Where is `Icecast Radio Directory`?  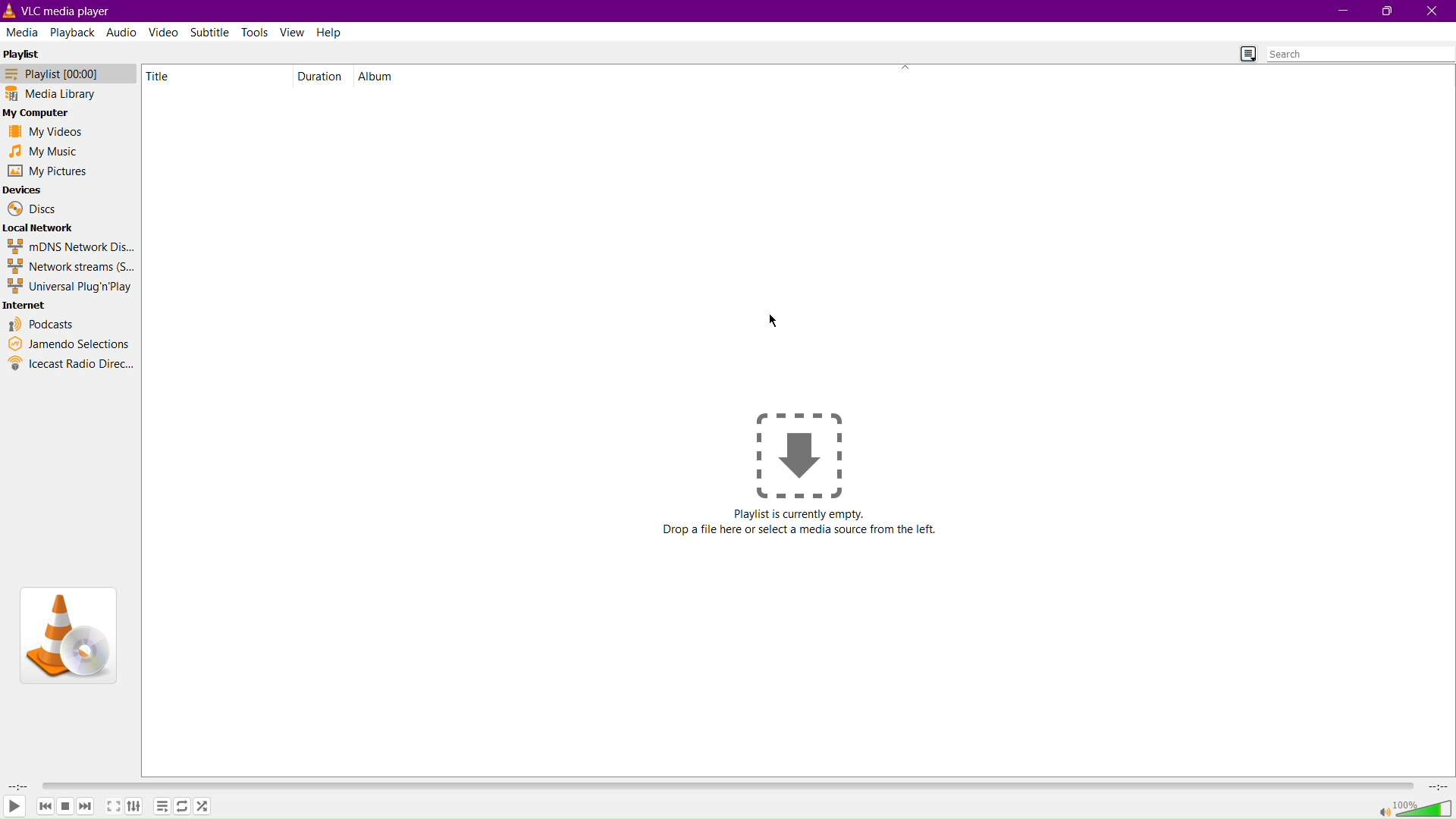 Icecast Radio Directory is located at coordinates (71, 364).